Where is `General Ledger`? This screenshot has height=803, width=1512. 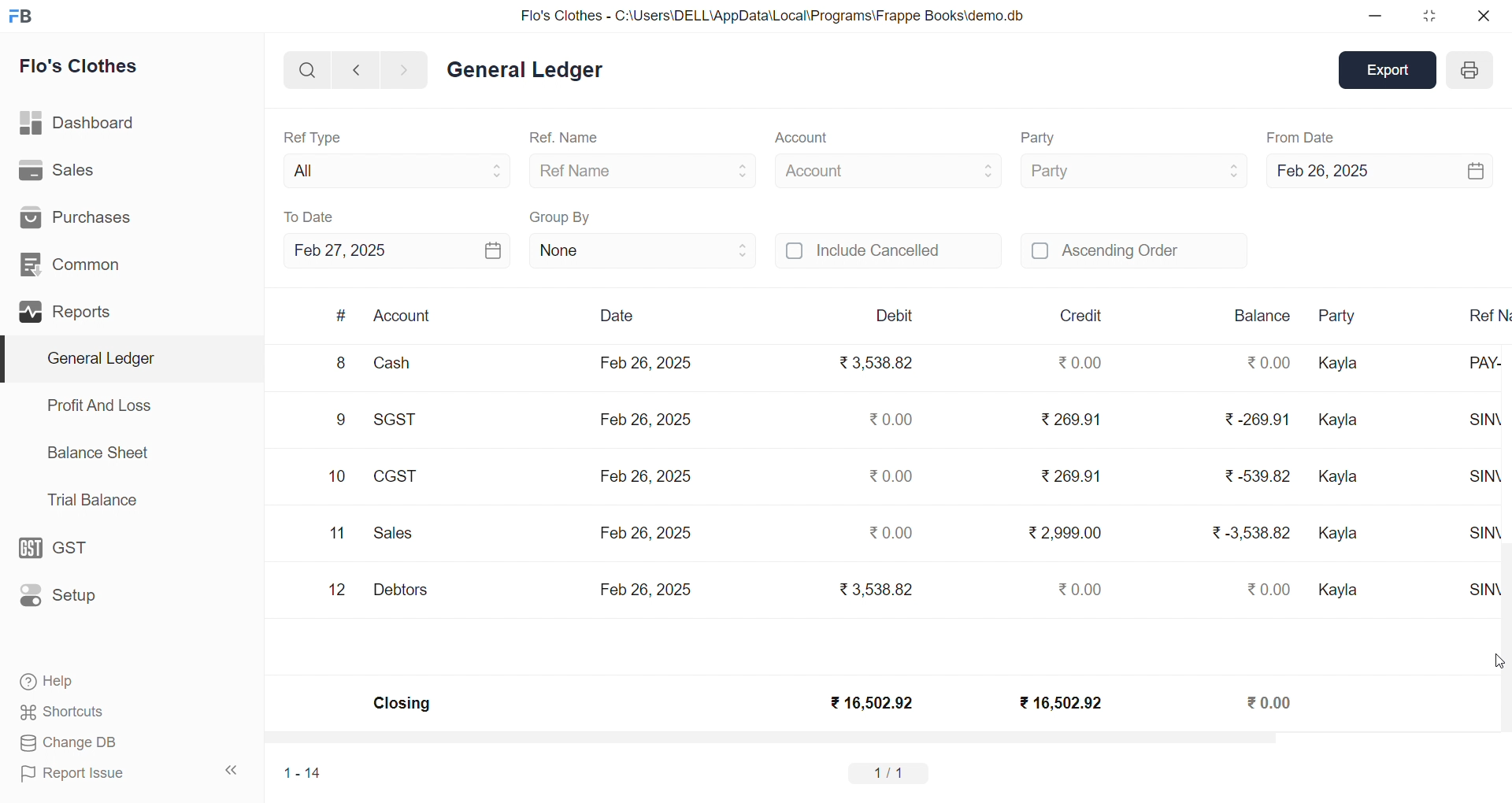 General Ledger is located at coordinates (127, 358).